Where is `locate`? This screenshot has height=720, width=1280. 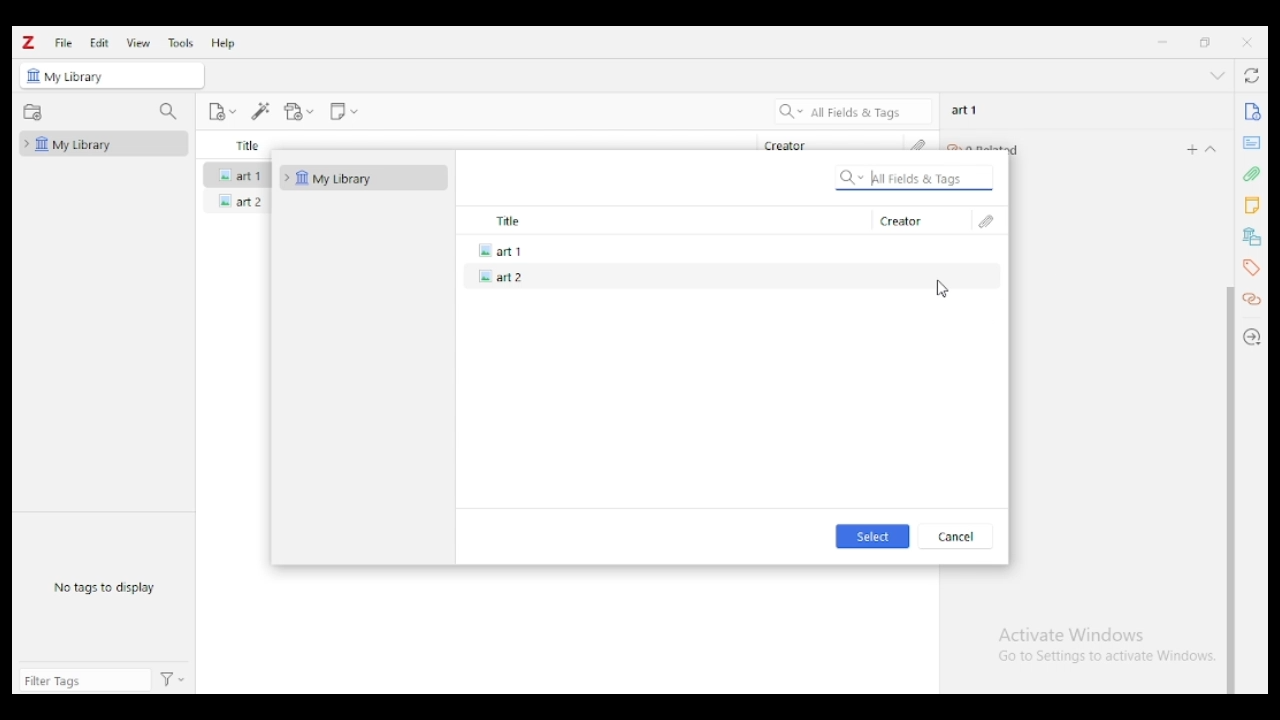 locate is located at coordinates (1254, 337).